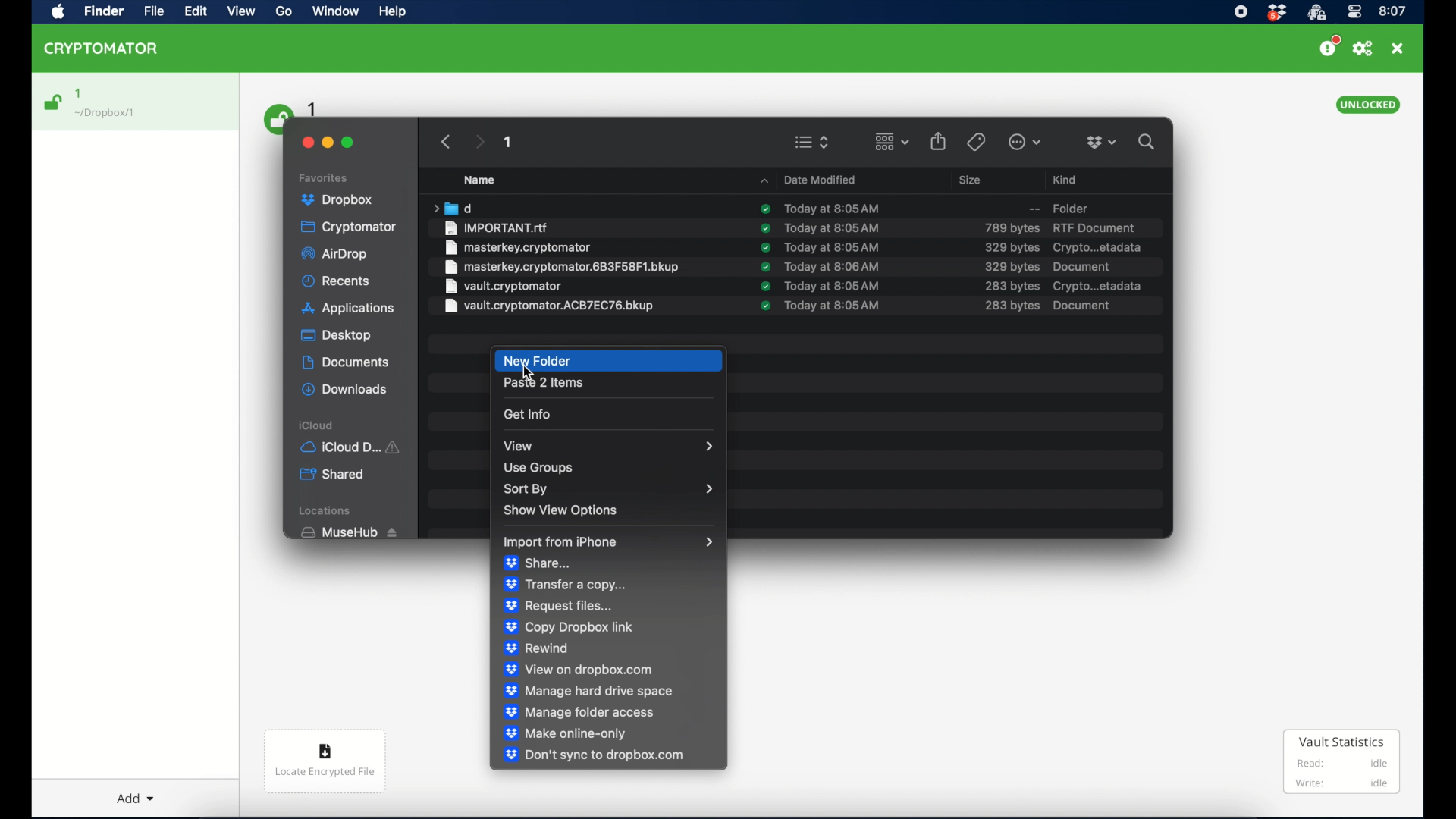 This screenshot has height=819, width=1456. Describe the element at coordinates (197, 12) in the screenshot. I see `Edit` at that location.